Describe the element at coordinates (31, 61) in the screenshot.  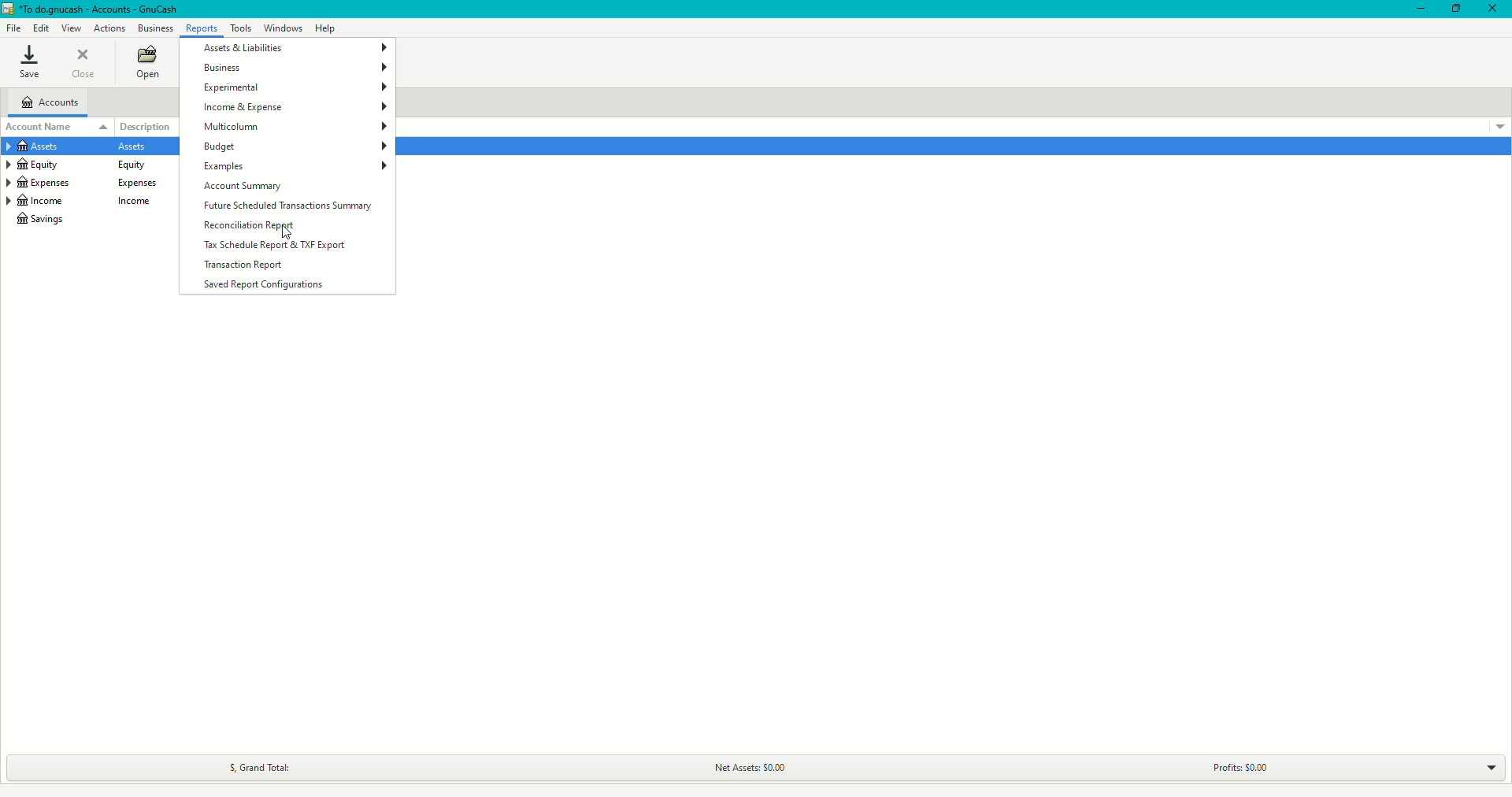
I see `Save` at that location.